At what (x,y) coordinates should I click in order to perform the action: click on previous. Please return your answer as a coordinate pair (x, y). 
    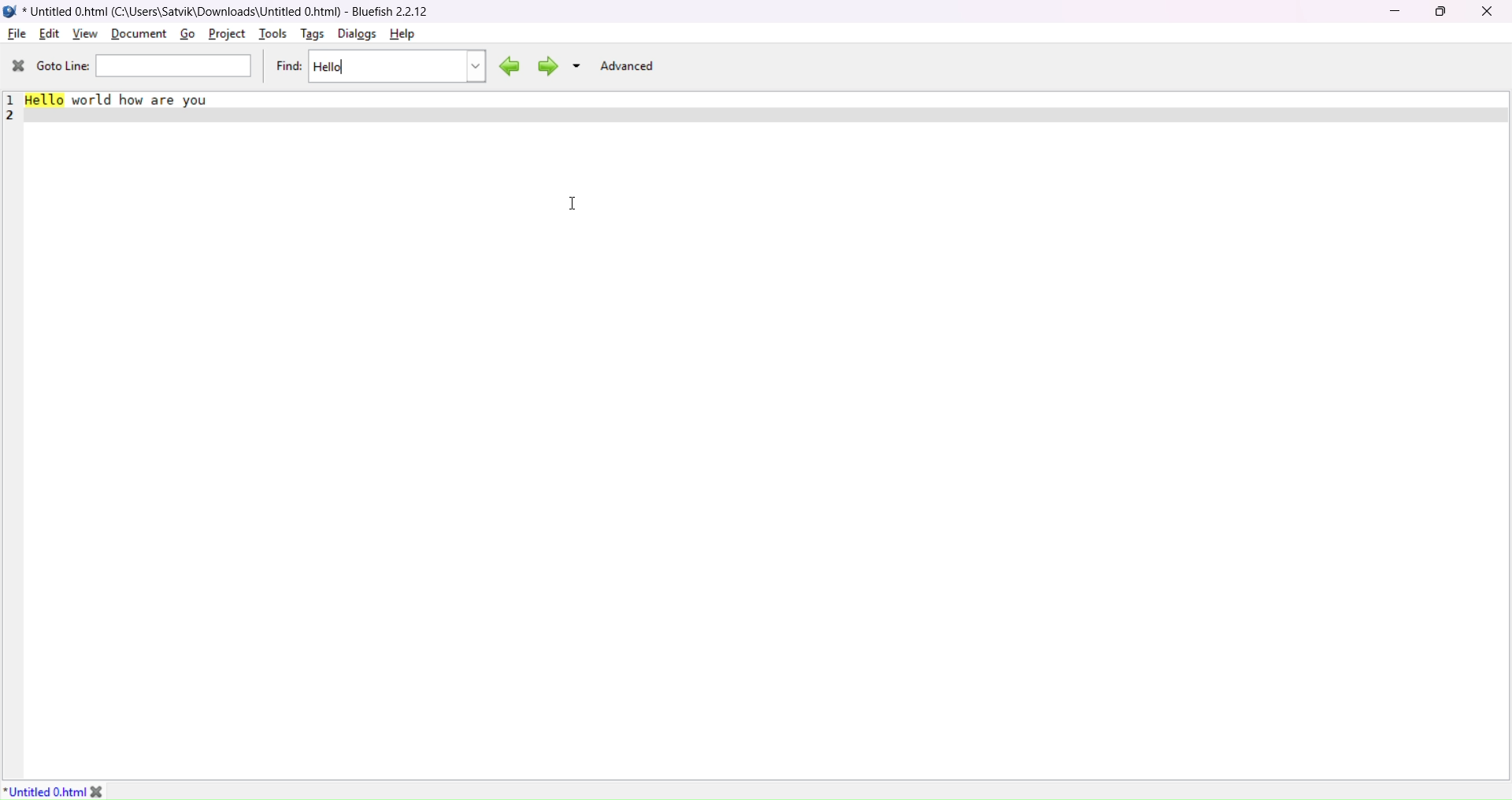
    Looking at the image, I should click on (507, 64).